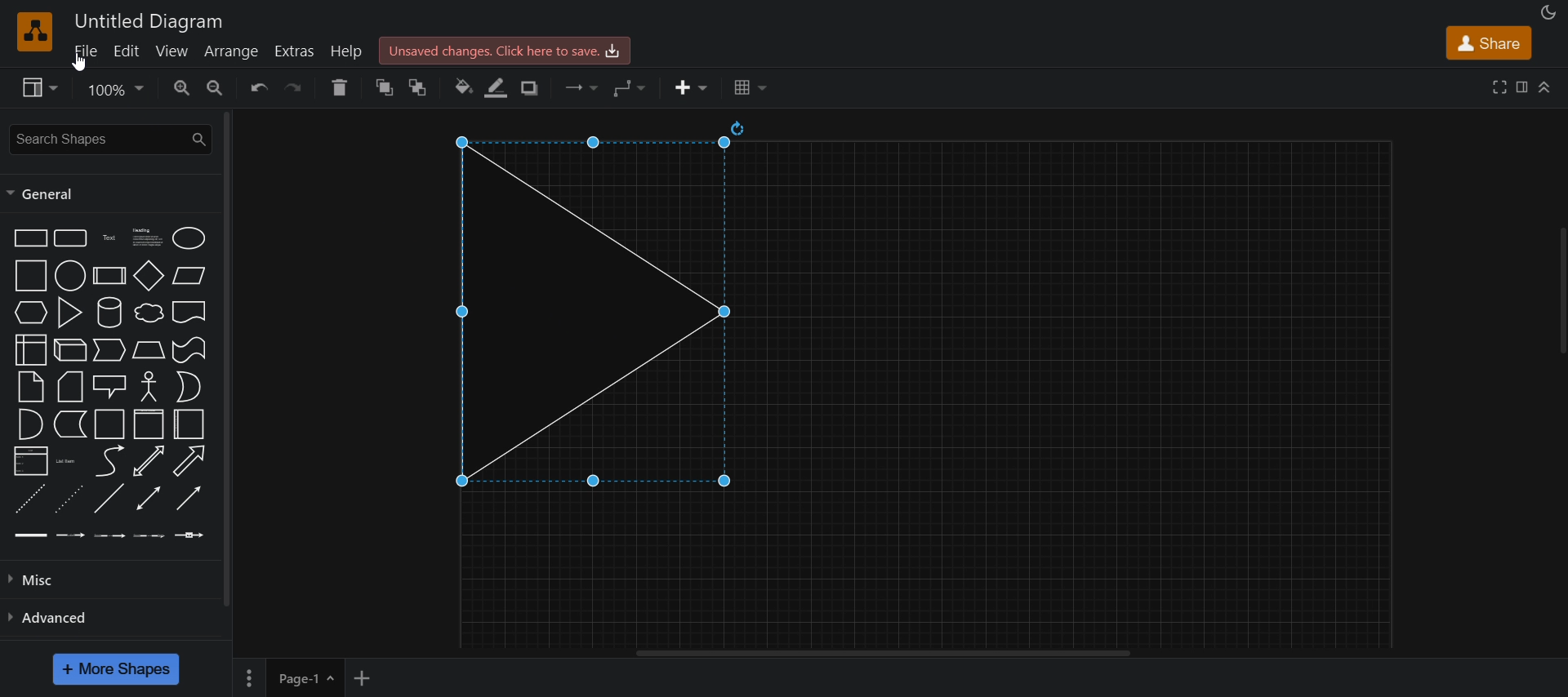 The height and width of the screenshot is (697, 1568). Describe the element at coordinates (371, 675) in the screenshot. I see `add new page` at that location.